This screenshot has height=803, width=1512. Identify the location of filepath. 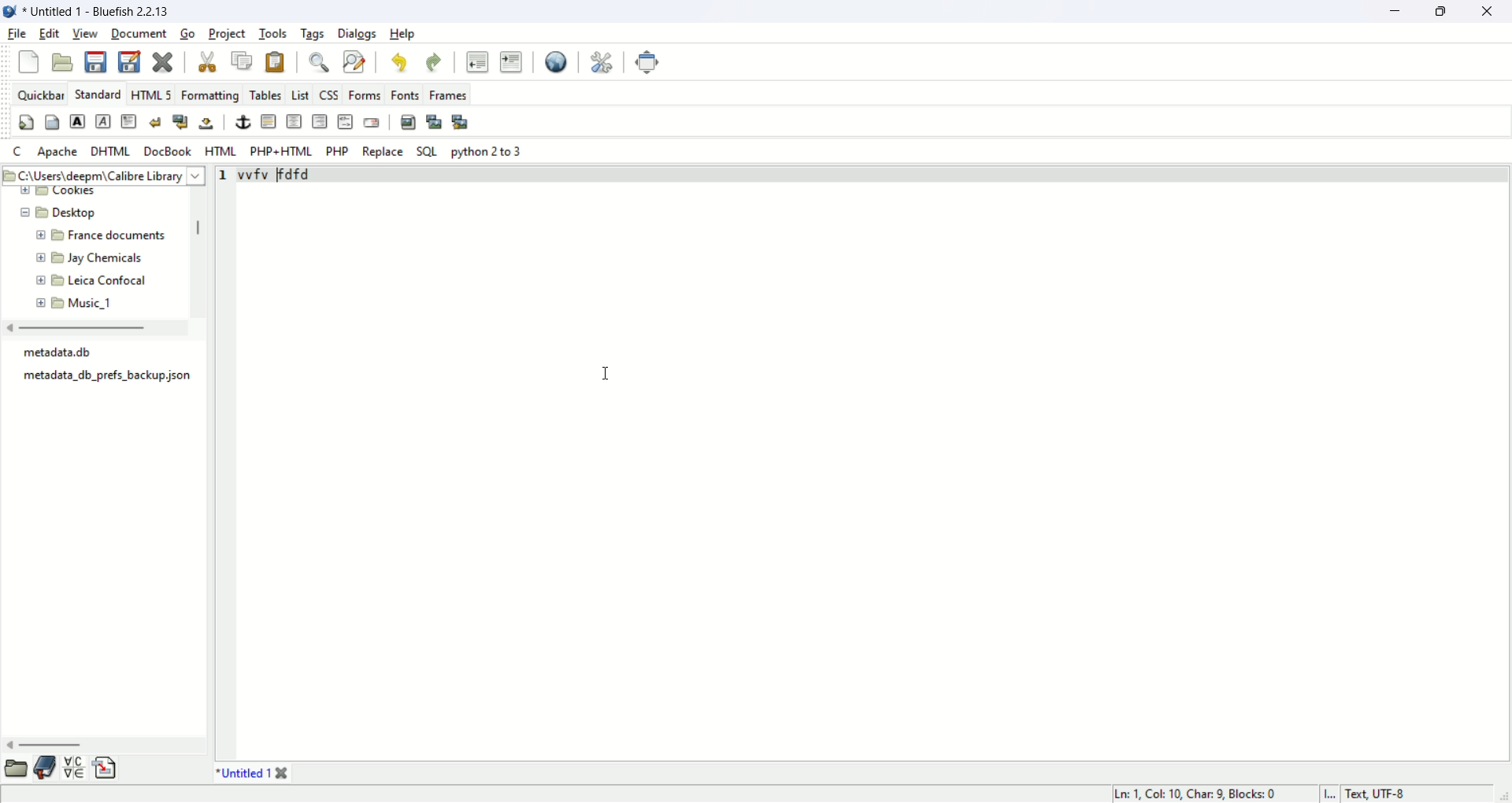
(102, 174).